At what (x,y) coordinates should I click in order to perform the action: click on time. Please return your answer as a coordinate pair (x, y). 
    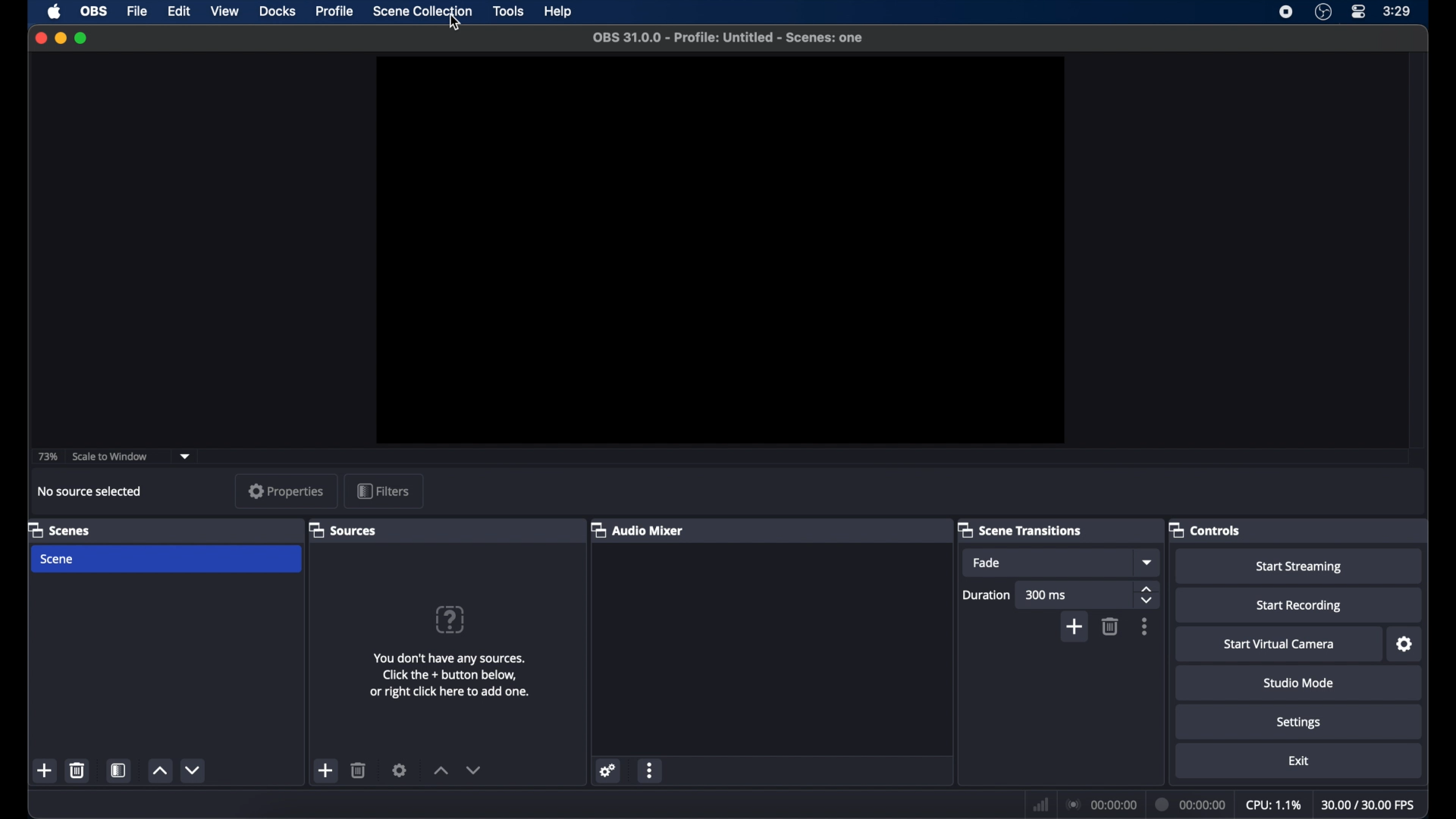
    Looking at the image, I should click on (1398, 11).